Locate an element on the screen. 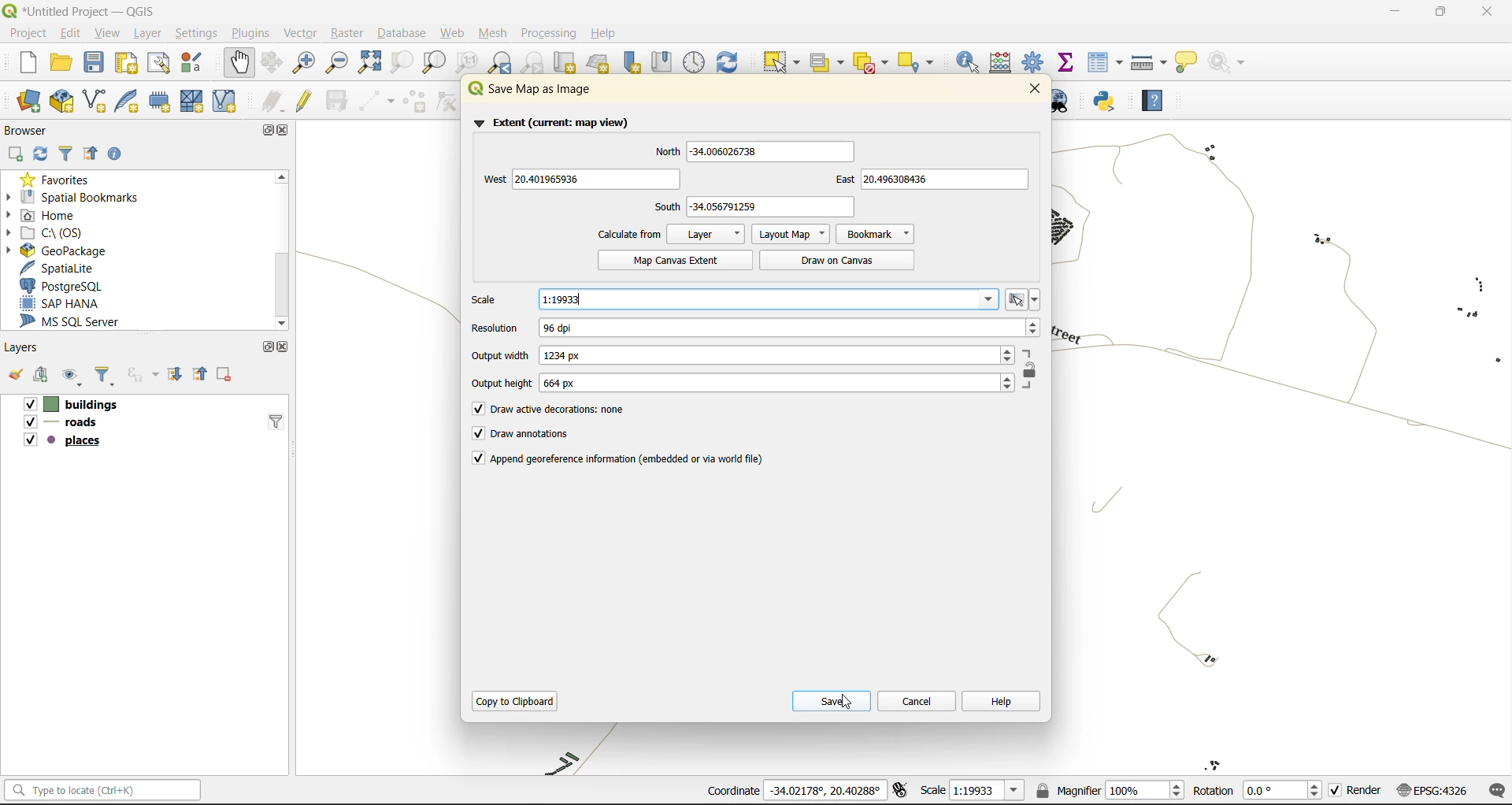  filter by expression is located at coordinates (142, 374).